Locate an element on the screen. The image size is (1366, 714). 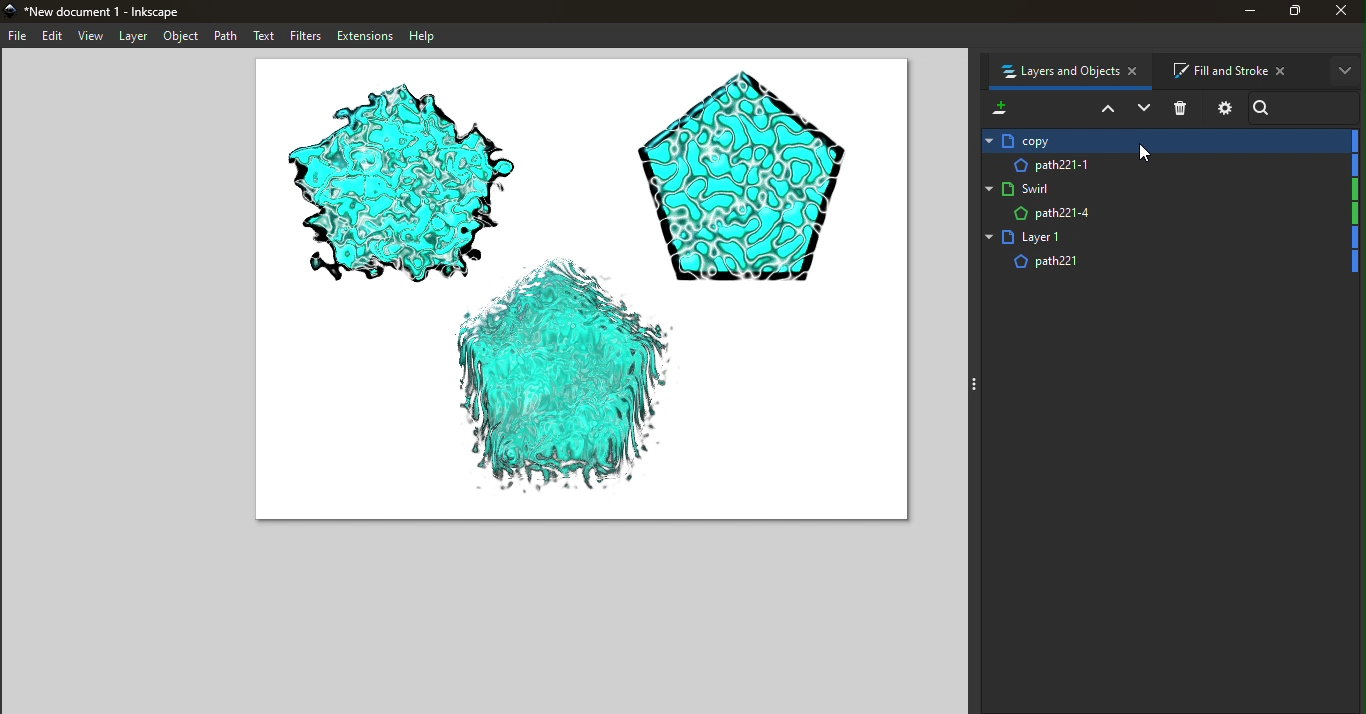
Layer is located at coordinates (1174, 140).